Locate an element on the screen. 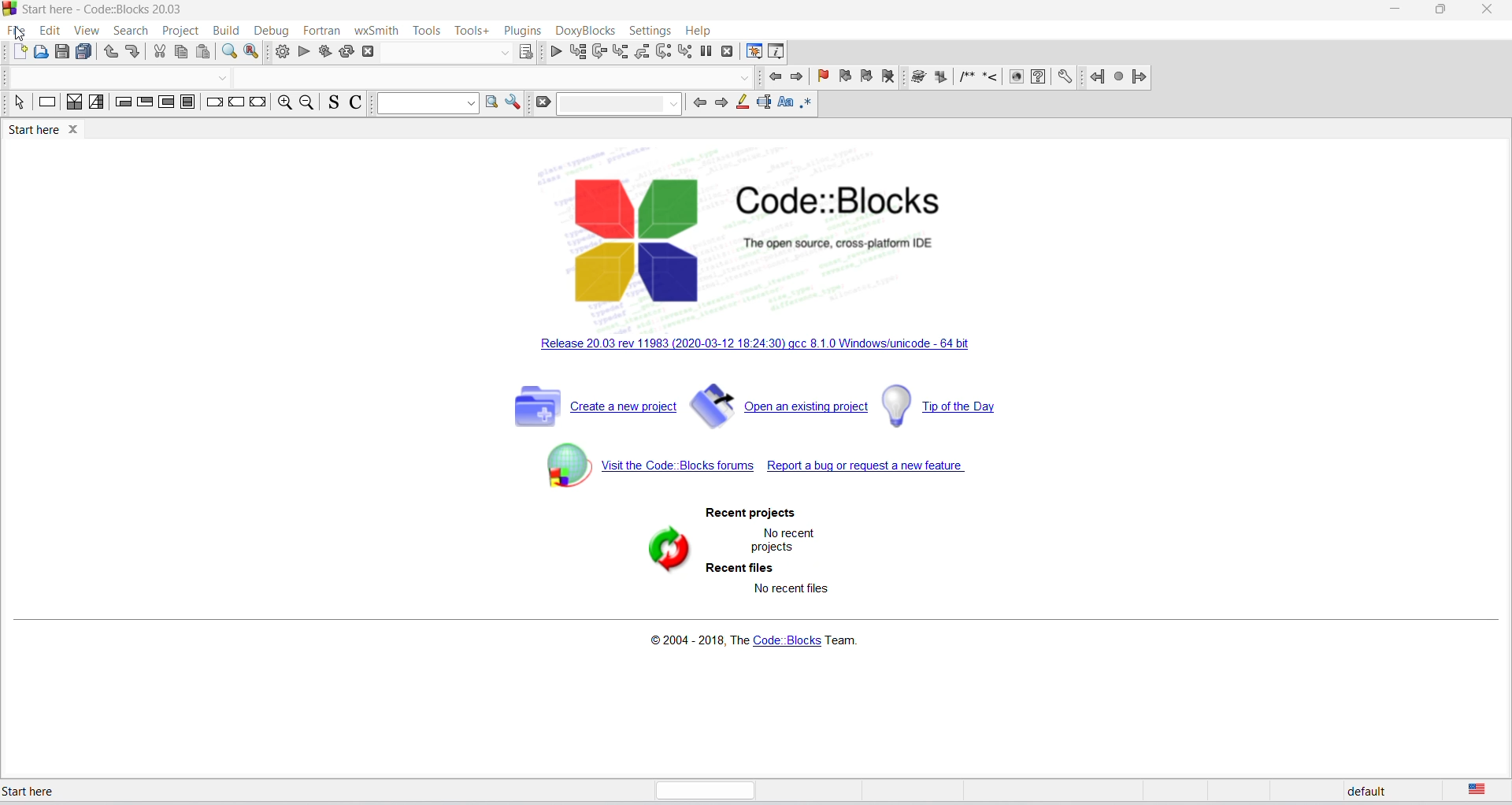 The image size is (1512, 805). dropdown is located at coordinates (224, 80).